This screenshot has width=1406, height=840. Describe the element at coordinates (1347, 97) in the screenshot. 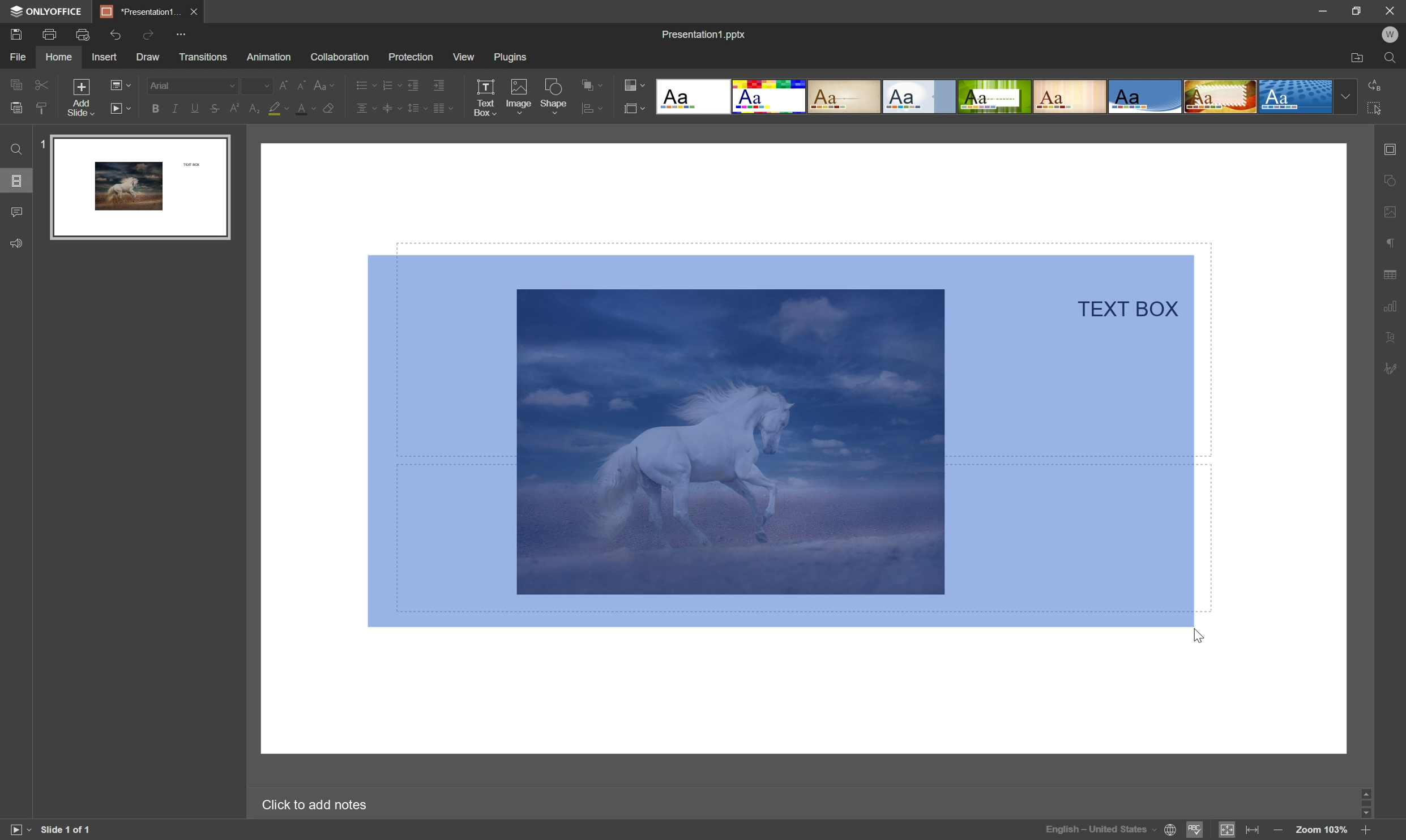

I see `drop down` at that location.